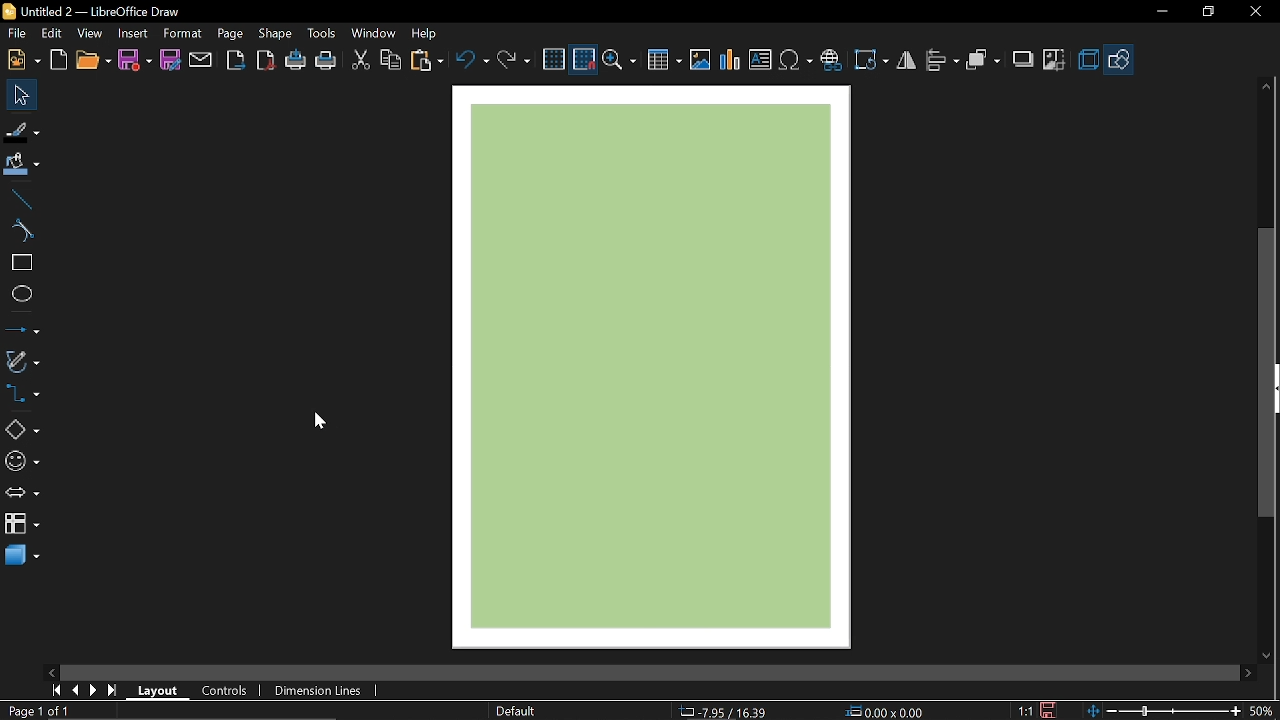 The width and height of the screenshot is (1280, 720). I want to click on Open template, so click(60, 60).